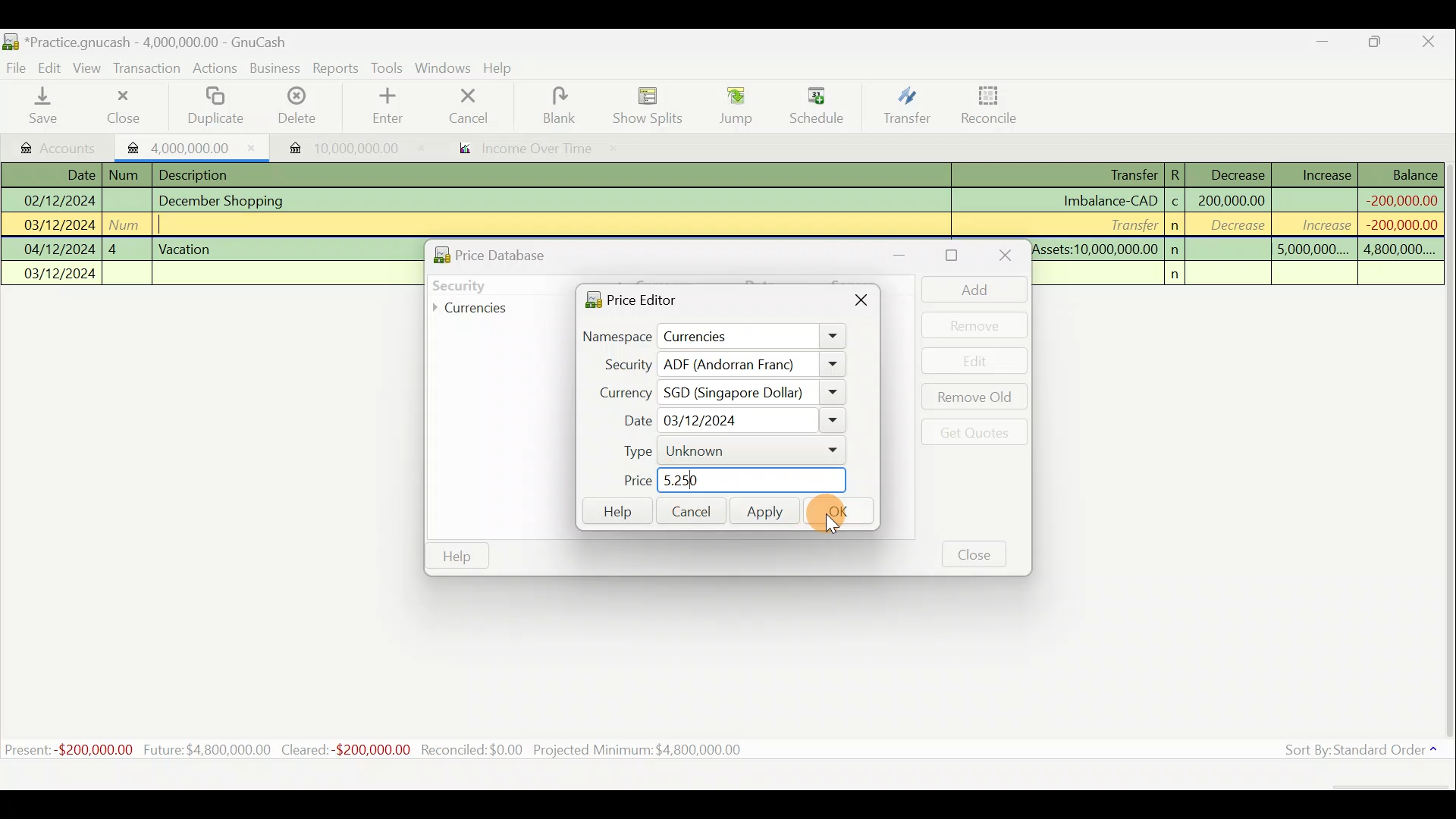 The height and width of the screenshot is (819, 1456). I want to click on Document name, so click(145, 39).